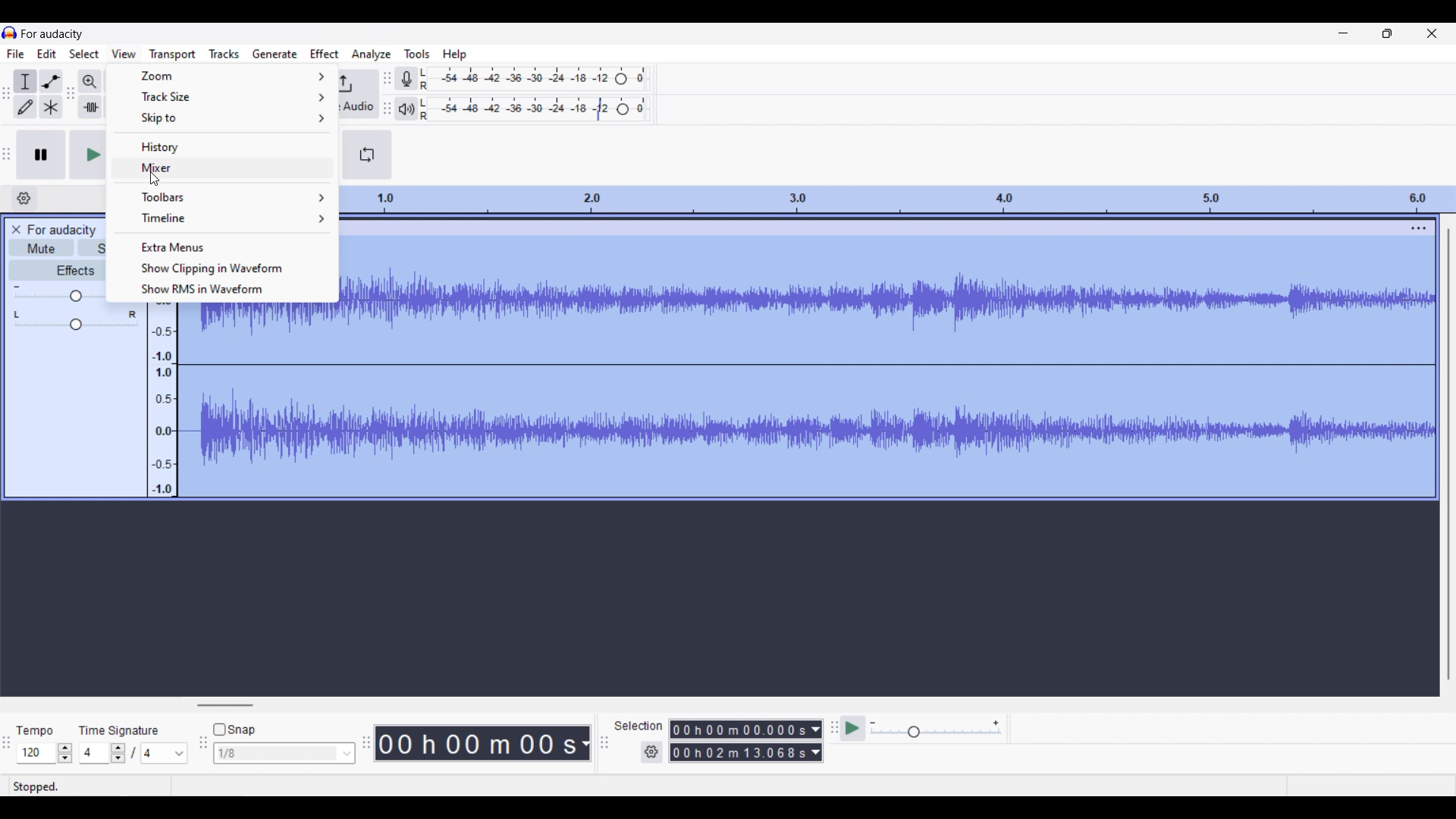 Image resolution: width=1456 pixels, height=819 pixels. What do you see at coordinates (26, 106) in the screenshot?
I see `Draw tool` at bounding box center [26, 106].